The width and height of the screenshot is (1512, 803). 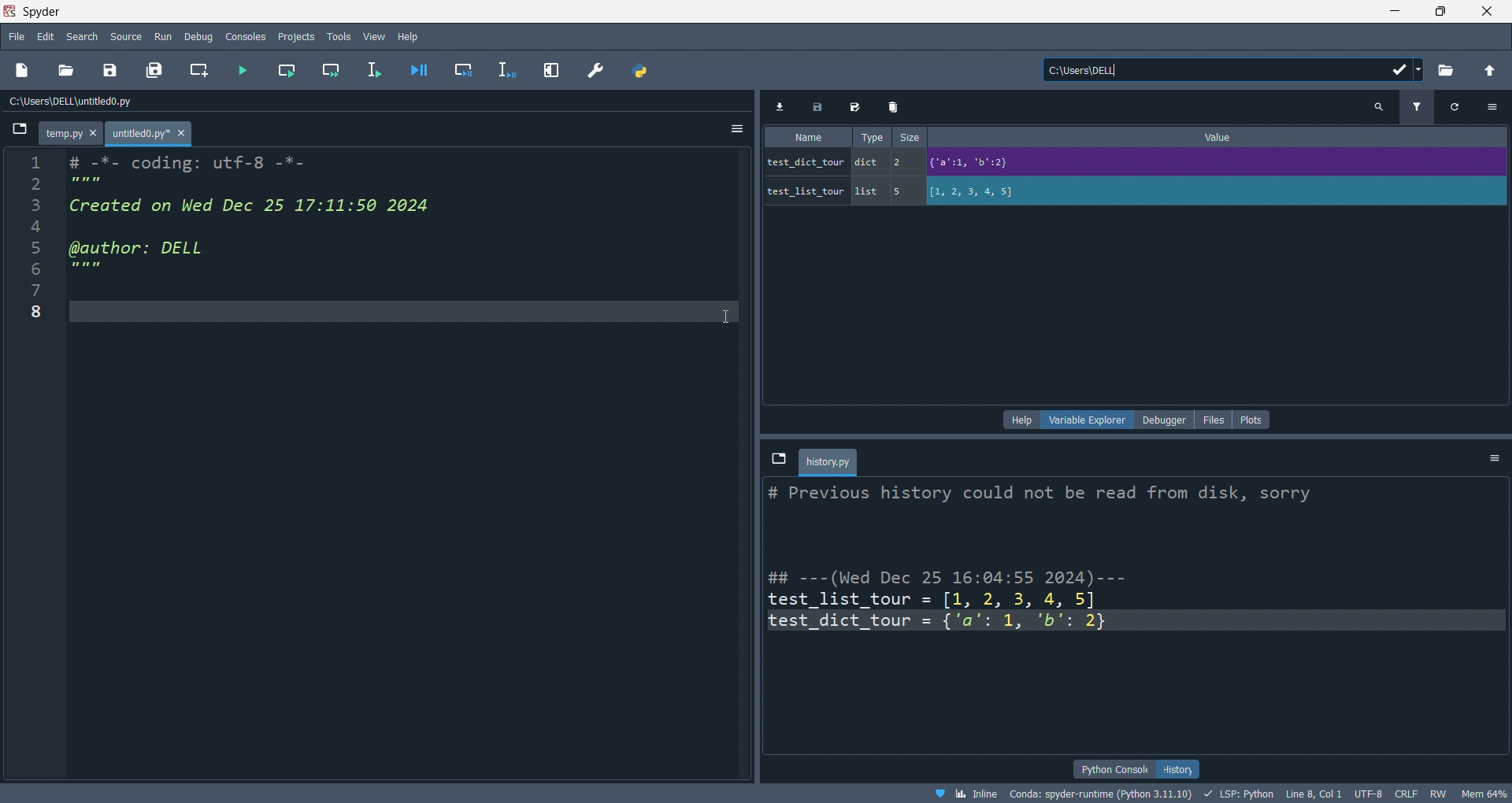 What do you see at coordinates (107, 72) in the screenshot?
I see `save` at bounding box center [107, 72].